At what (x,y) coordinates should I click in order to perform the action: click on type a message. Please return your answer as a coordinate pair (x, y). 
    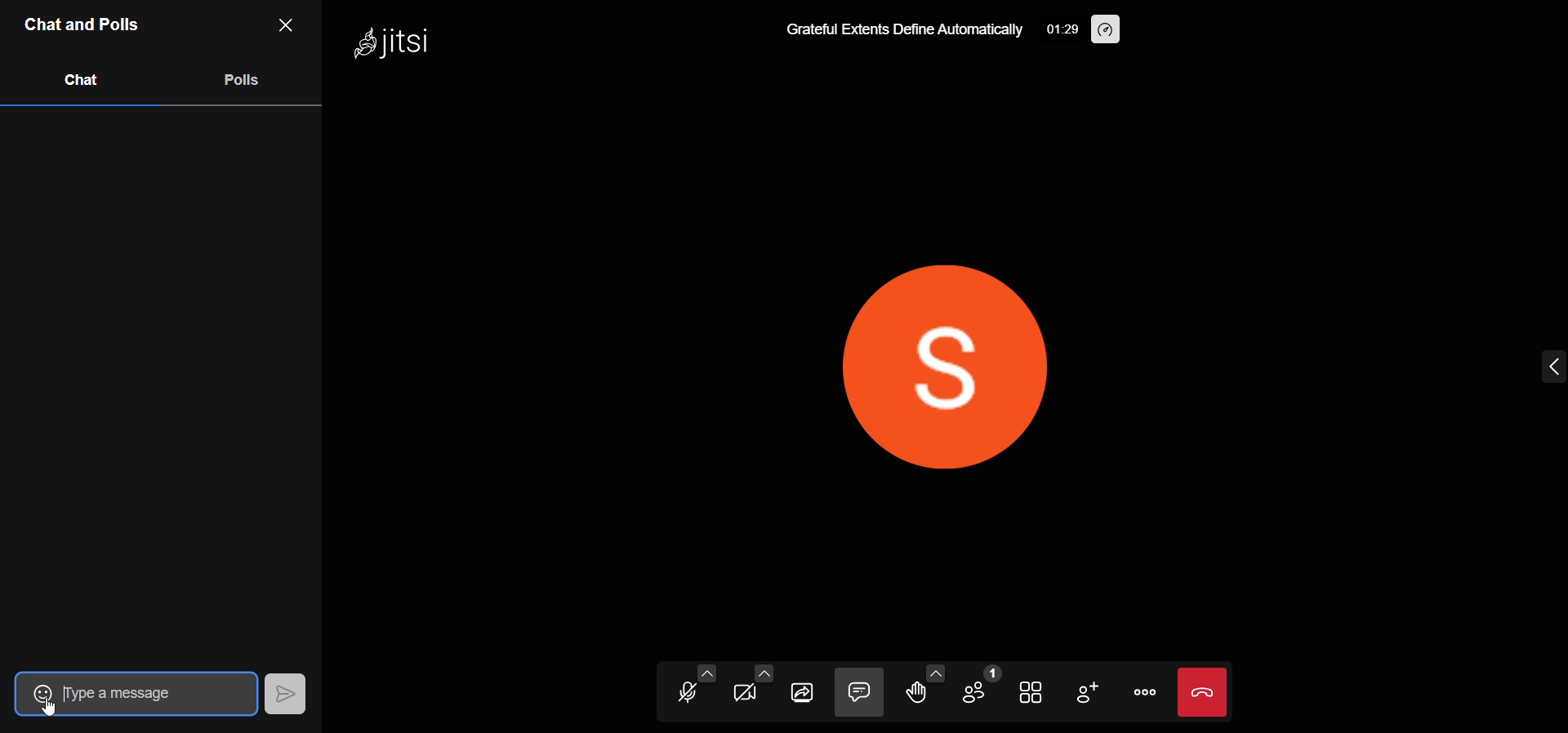
    Looking at the image, I should click on (155, 691).